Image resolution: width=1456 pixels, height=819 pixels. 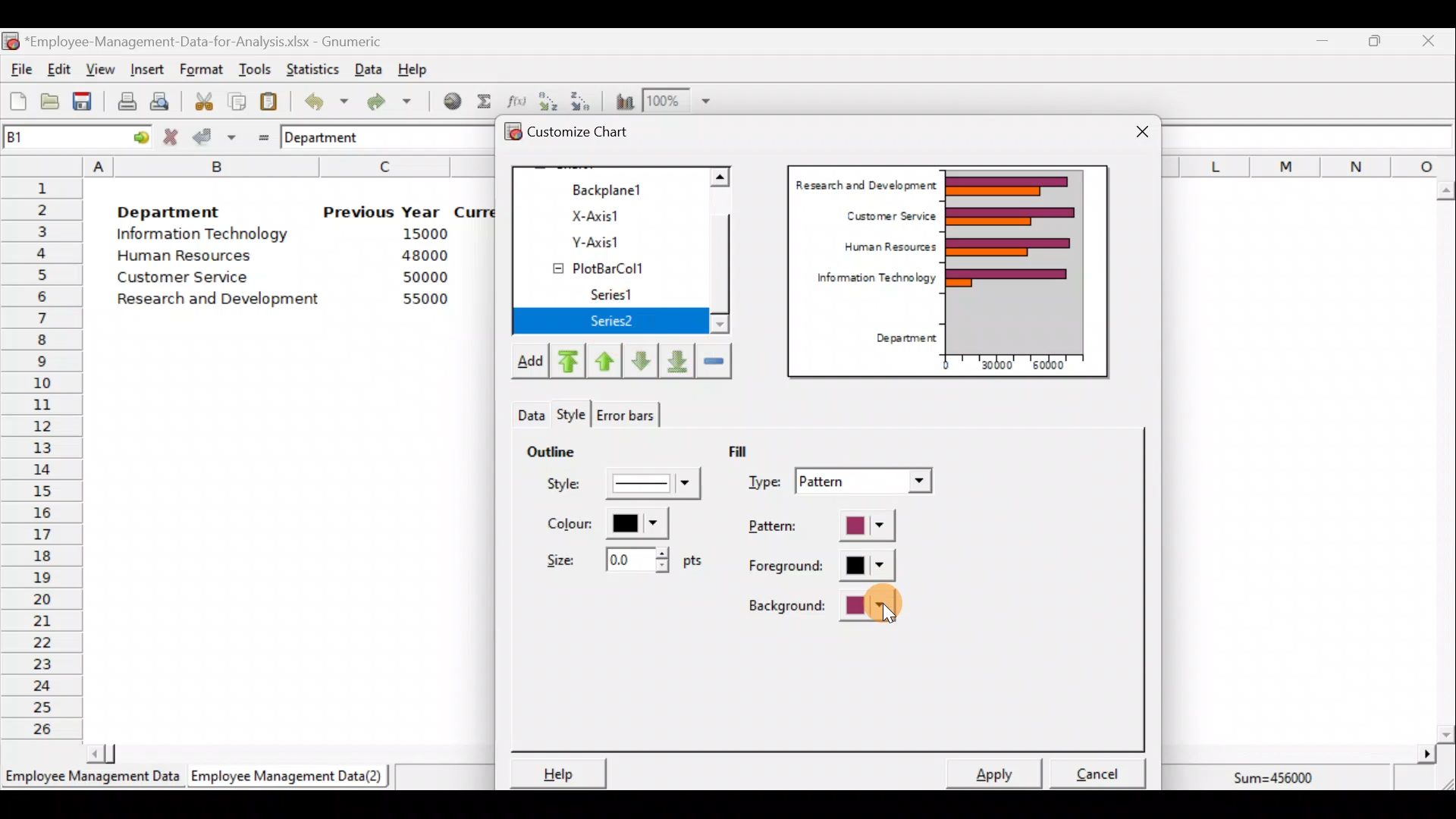 What do you see at coordinates (823, 566) in the screenshot?
I see `Foreground` at bounding box center [823, 566].